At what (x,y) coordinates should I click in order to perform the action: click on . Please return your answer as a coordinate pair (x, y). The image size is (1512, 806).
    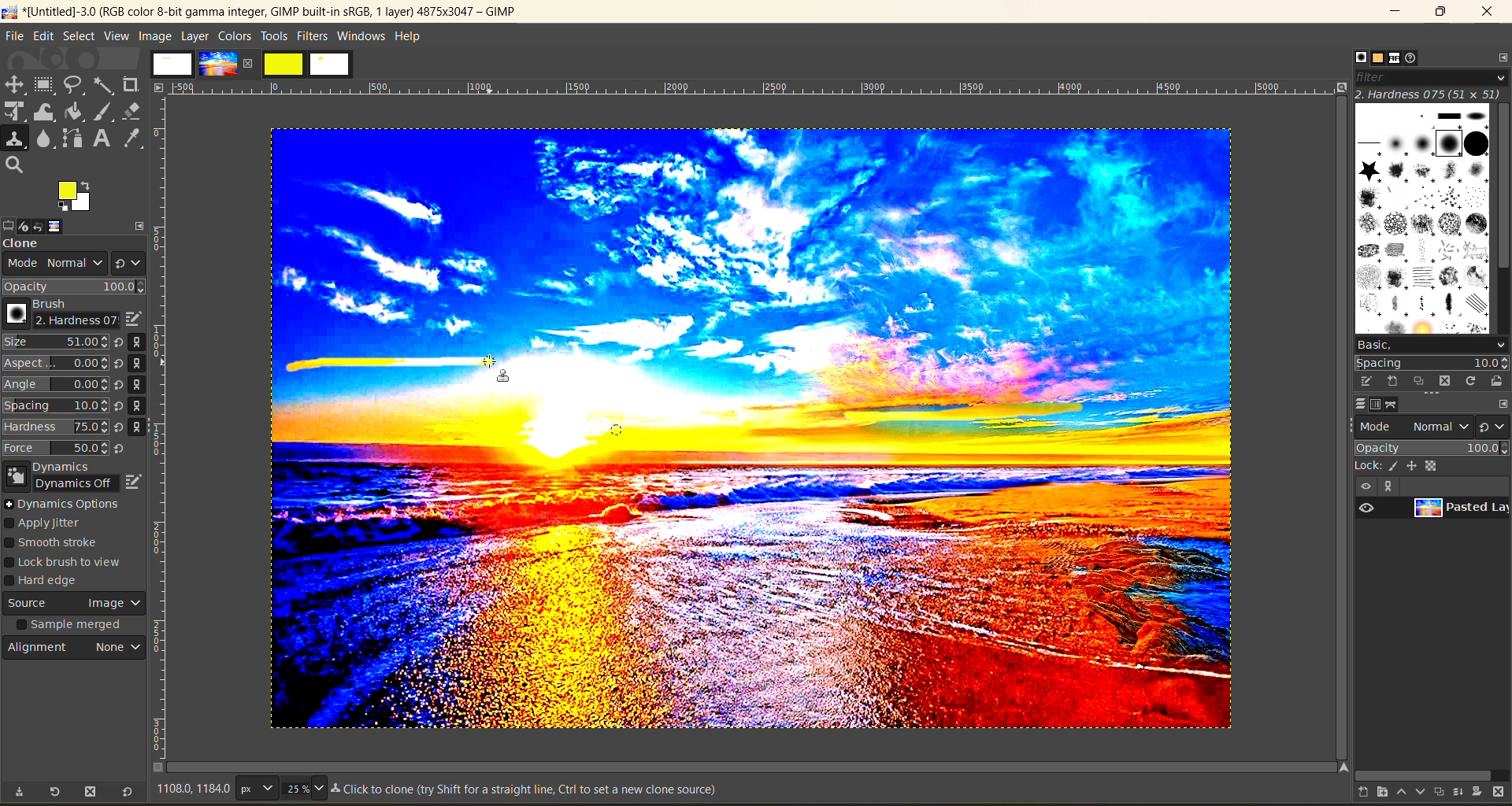
    Looking at the image, I should click on (1340, 767).